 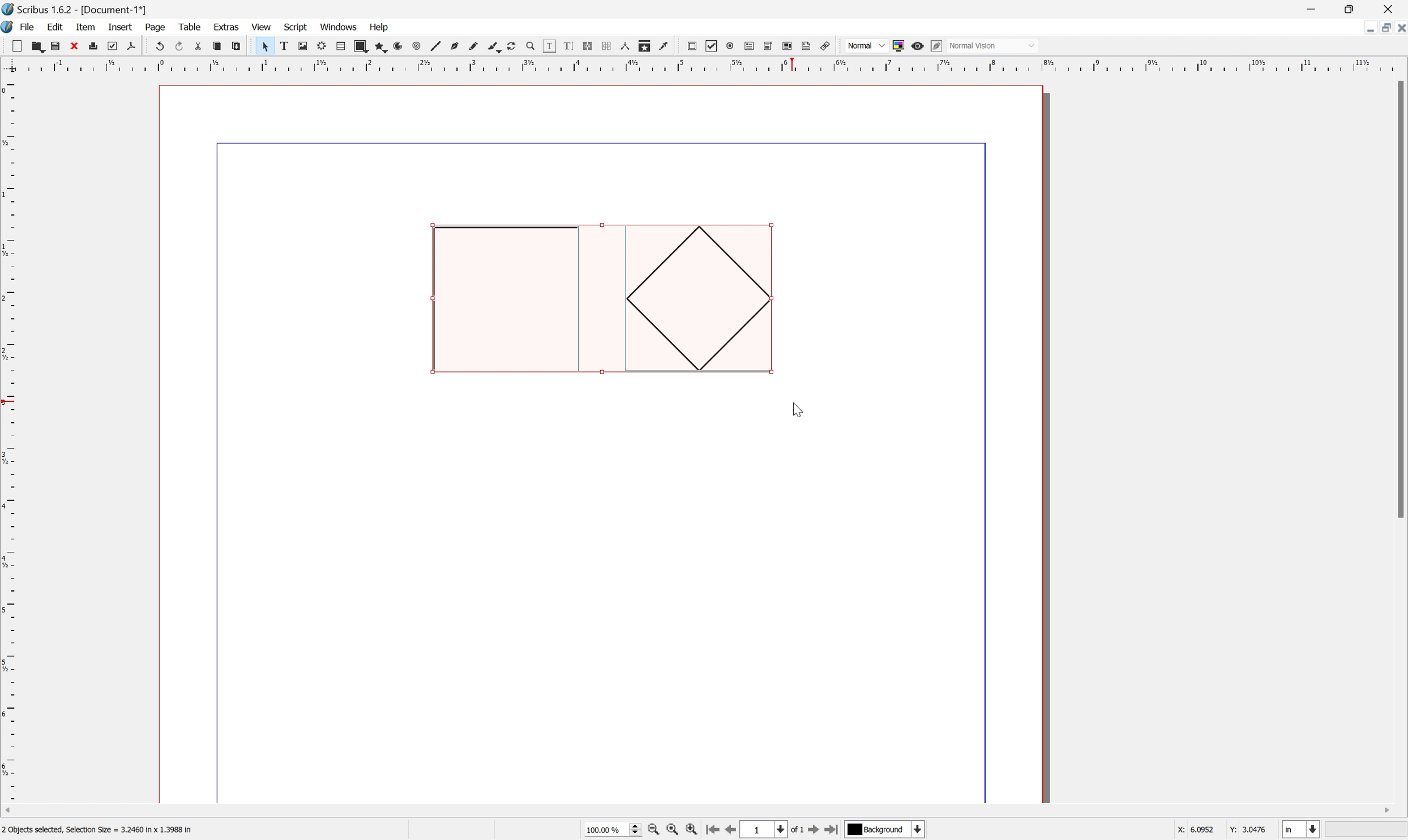 What do you see at coordinates (394, 45) in the screenshot?
I see `arc` at bounding box center [394, 45].